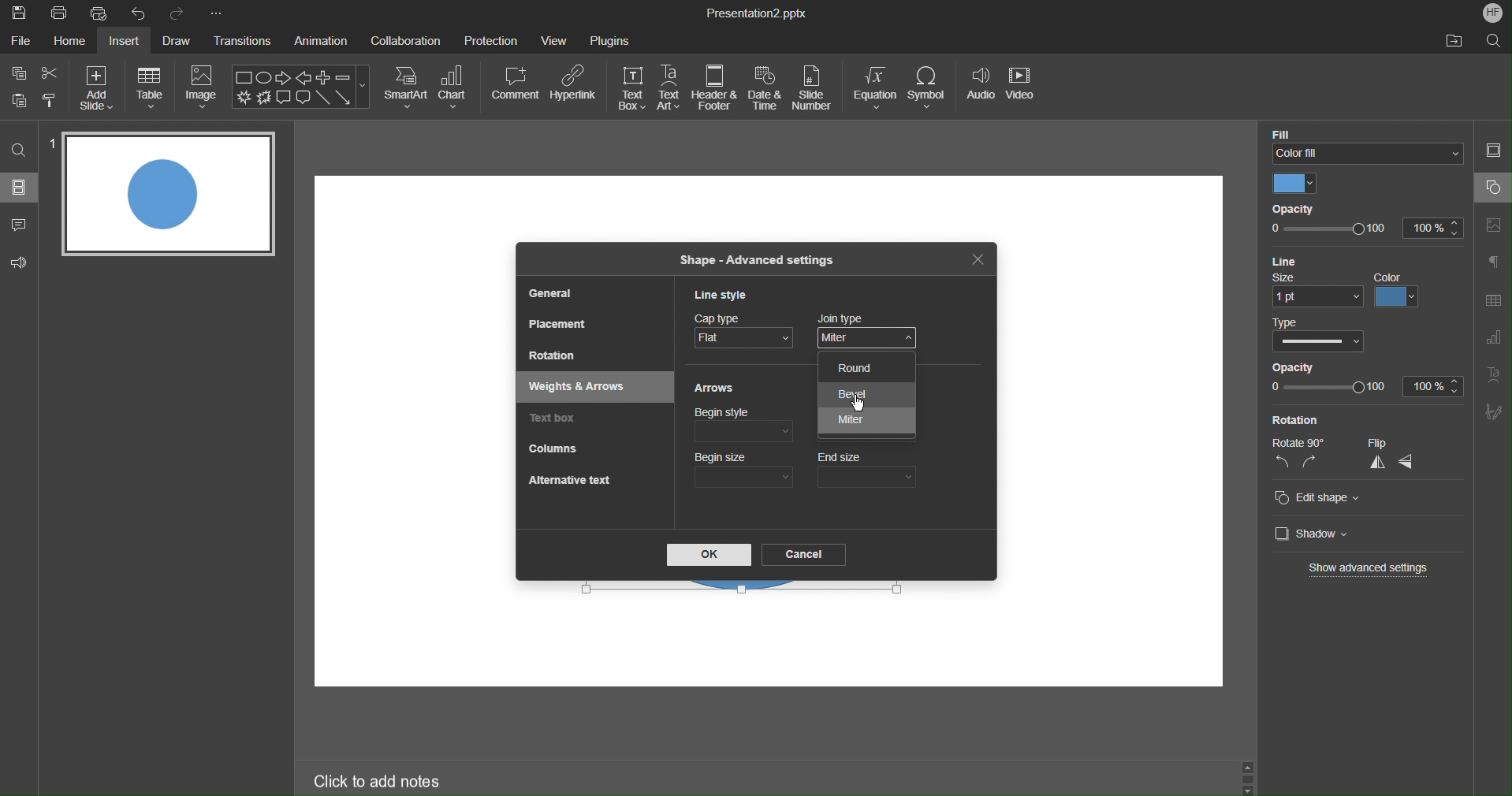 The width and height of the screenshot is (1512, 796). Describe the element at coordinates (744, 333) in the screenshot. I see `Cap Type` at that location.